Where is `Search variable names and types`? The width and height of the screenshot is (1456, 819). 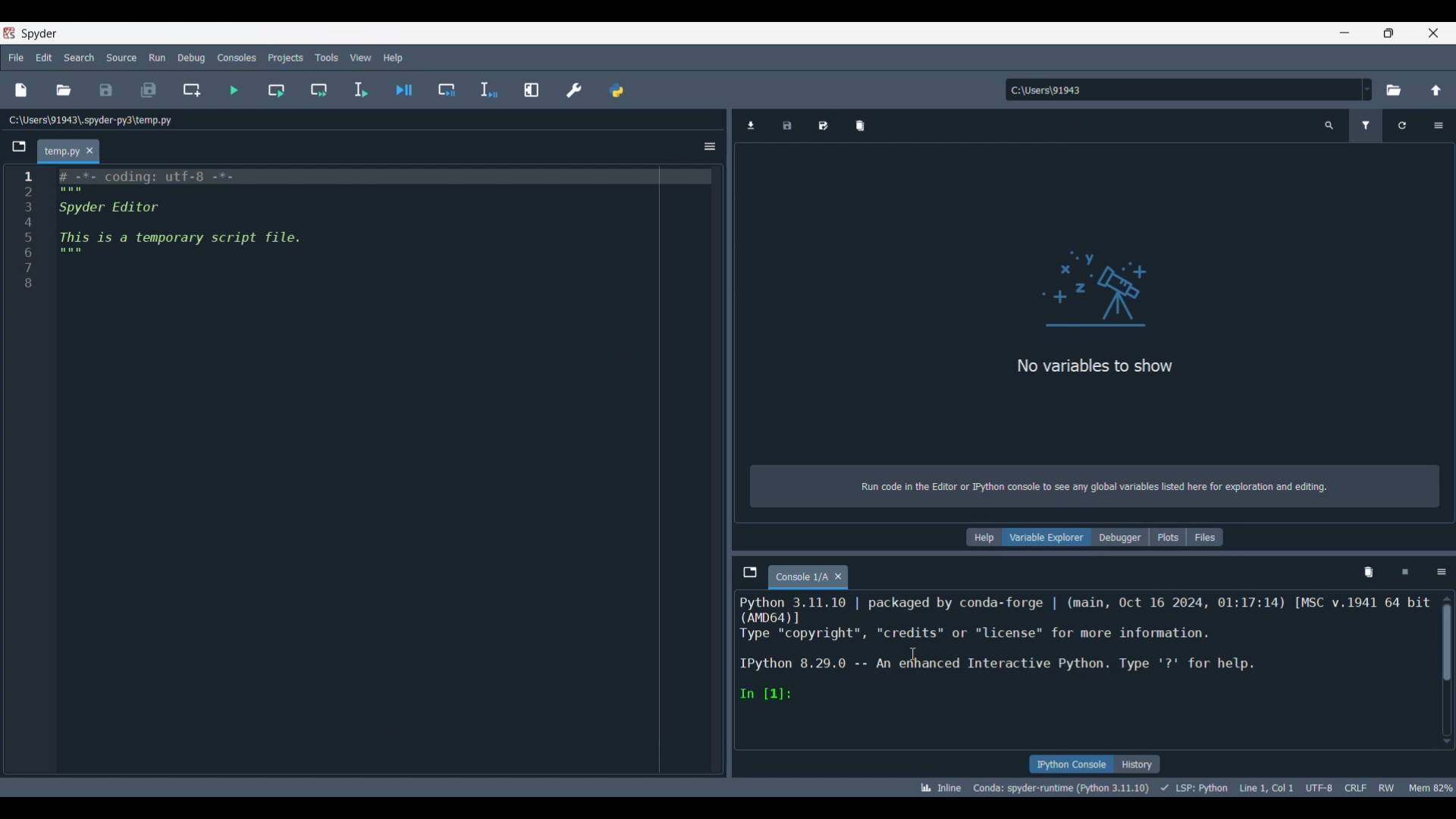 Search variable names and types is located at coordinates (1329, 126).